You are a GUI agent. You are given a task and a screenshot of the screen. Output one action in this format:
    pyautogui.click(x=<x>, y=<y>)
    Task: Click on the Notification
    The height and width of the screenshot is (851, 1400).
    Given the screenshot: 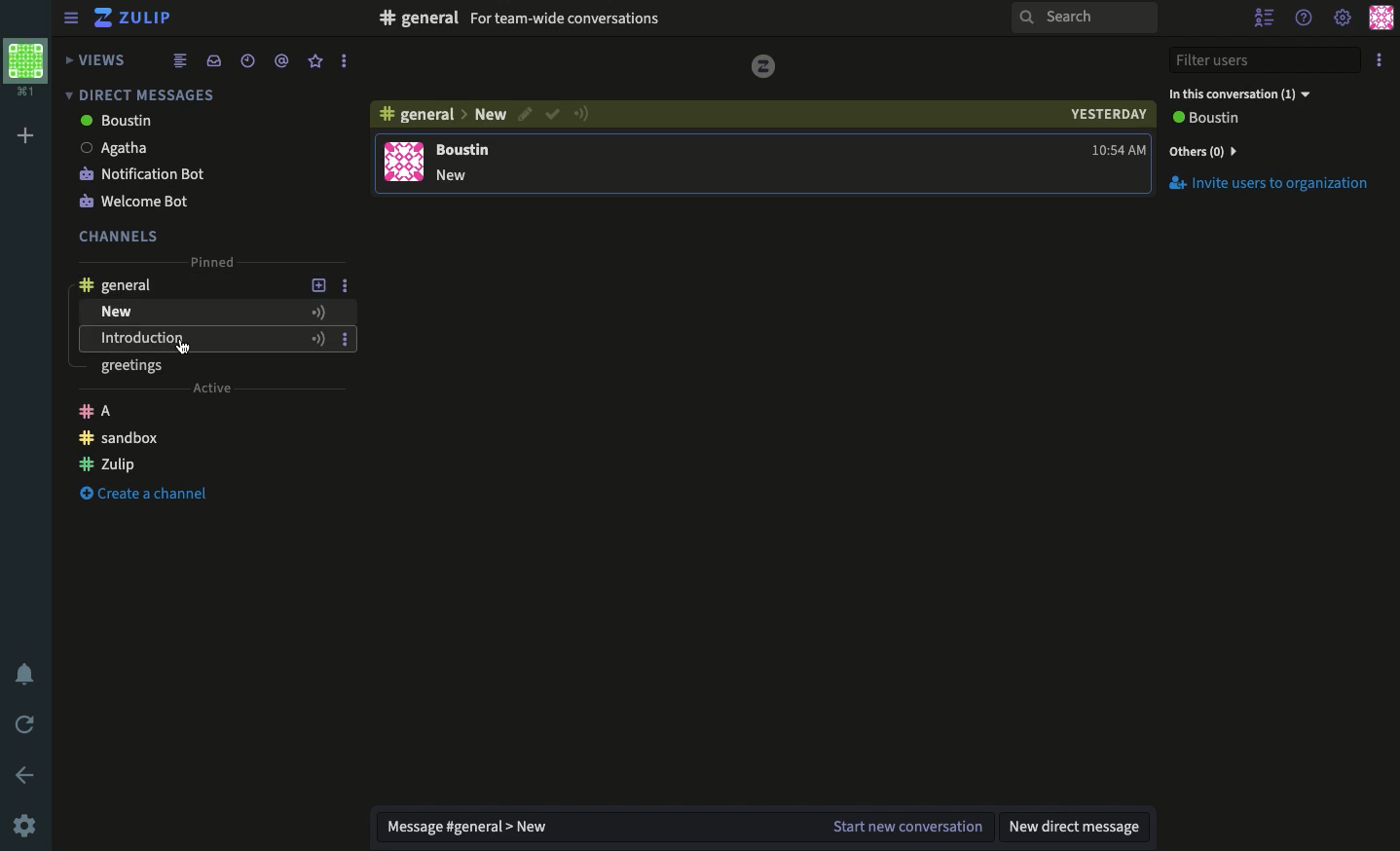 What is the action you would take?
    pyautogui.click(x=27, y=677)
    